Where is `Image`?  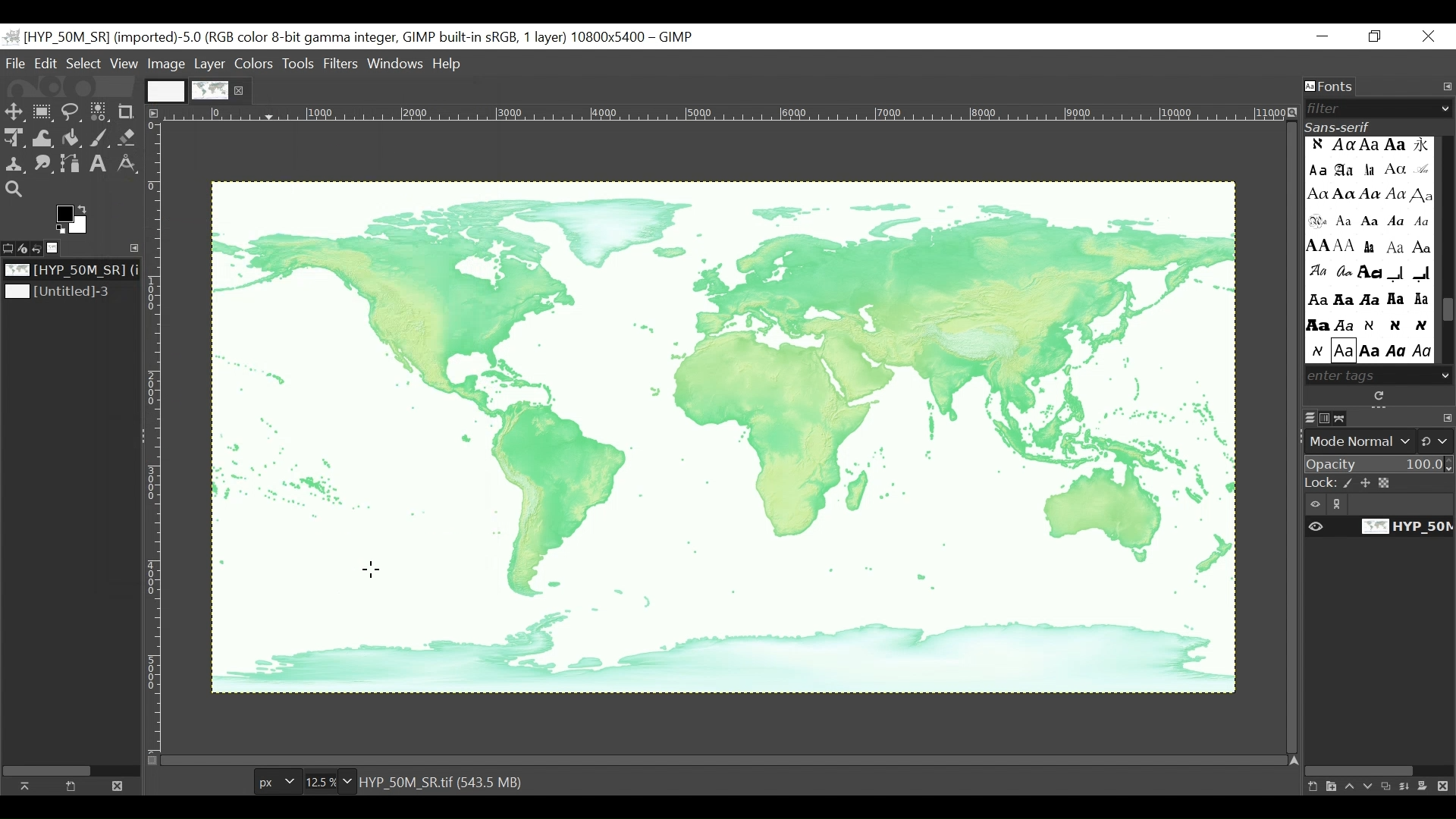 Image is located at coordinates (168, 64).